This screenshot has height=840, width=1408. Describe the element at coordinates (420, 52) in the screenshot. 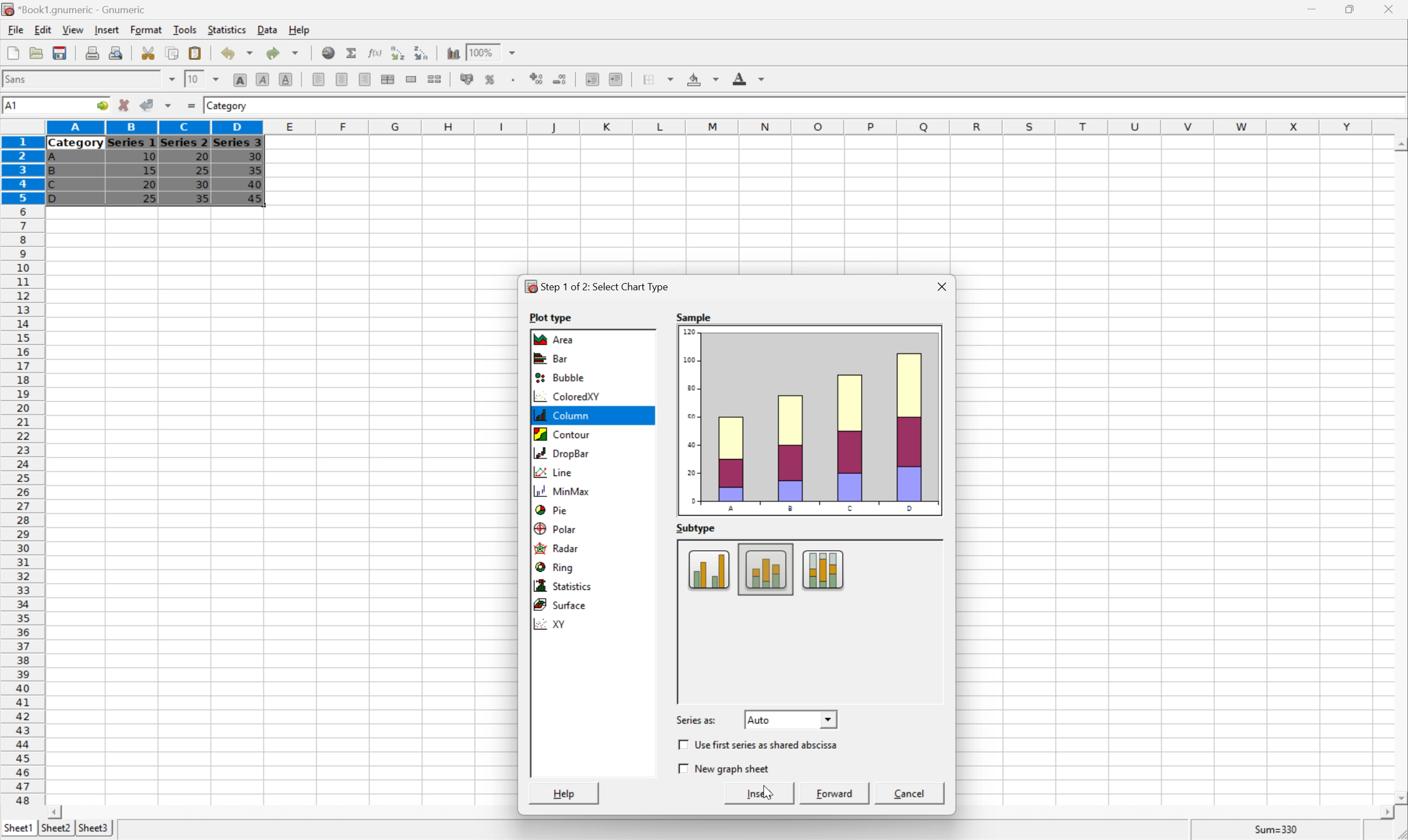

I see `Sort the selected region in descending order based on the first column selected` at that location.